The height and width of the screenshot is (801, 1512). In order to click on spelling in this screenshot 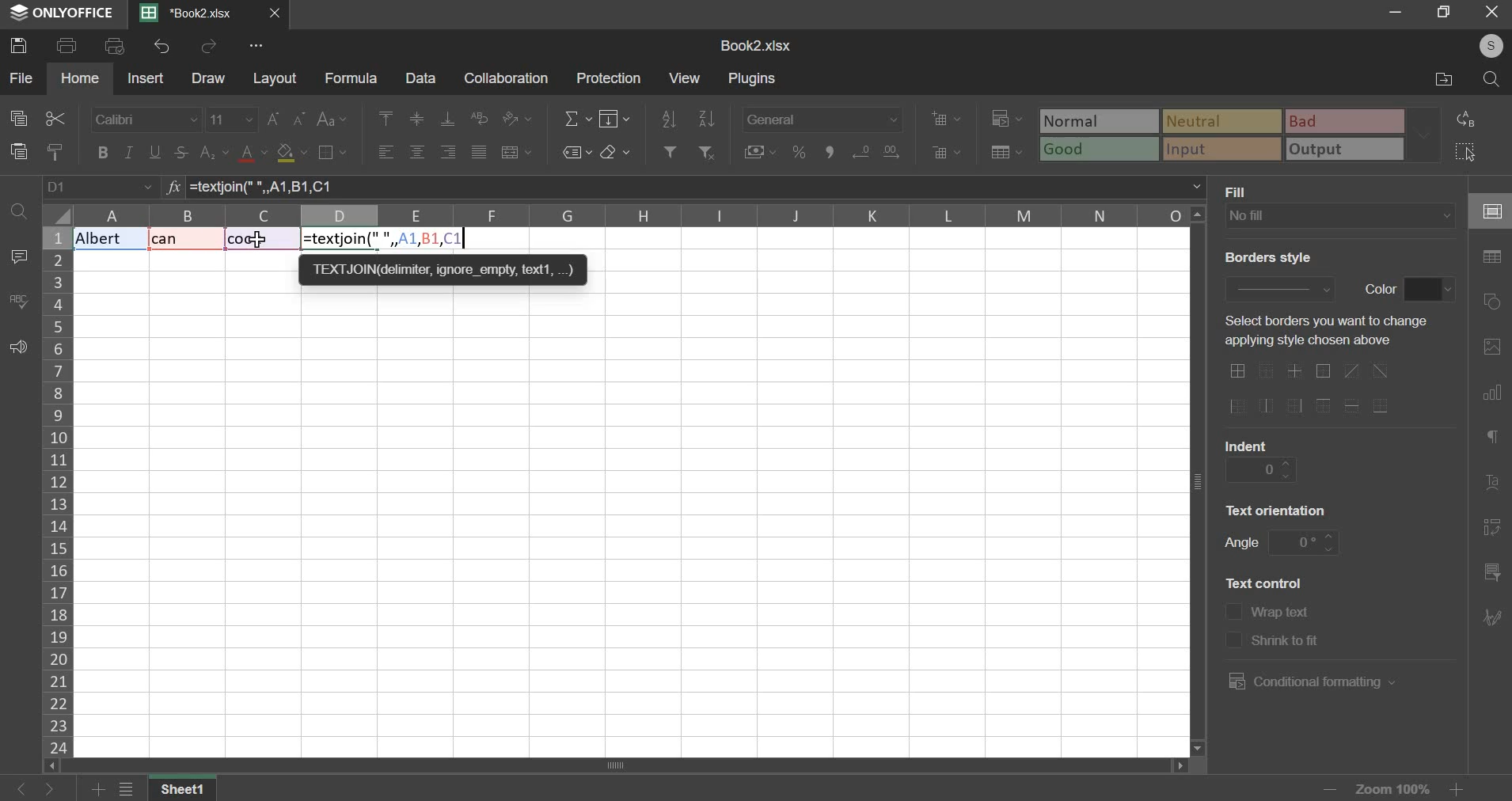, I will do `click(18, 301)`.